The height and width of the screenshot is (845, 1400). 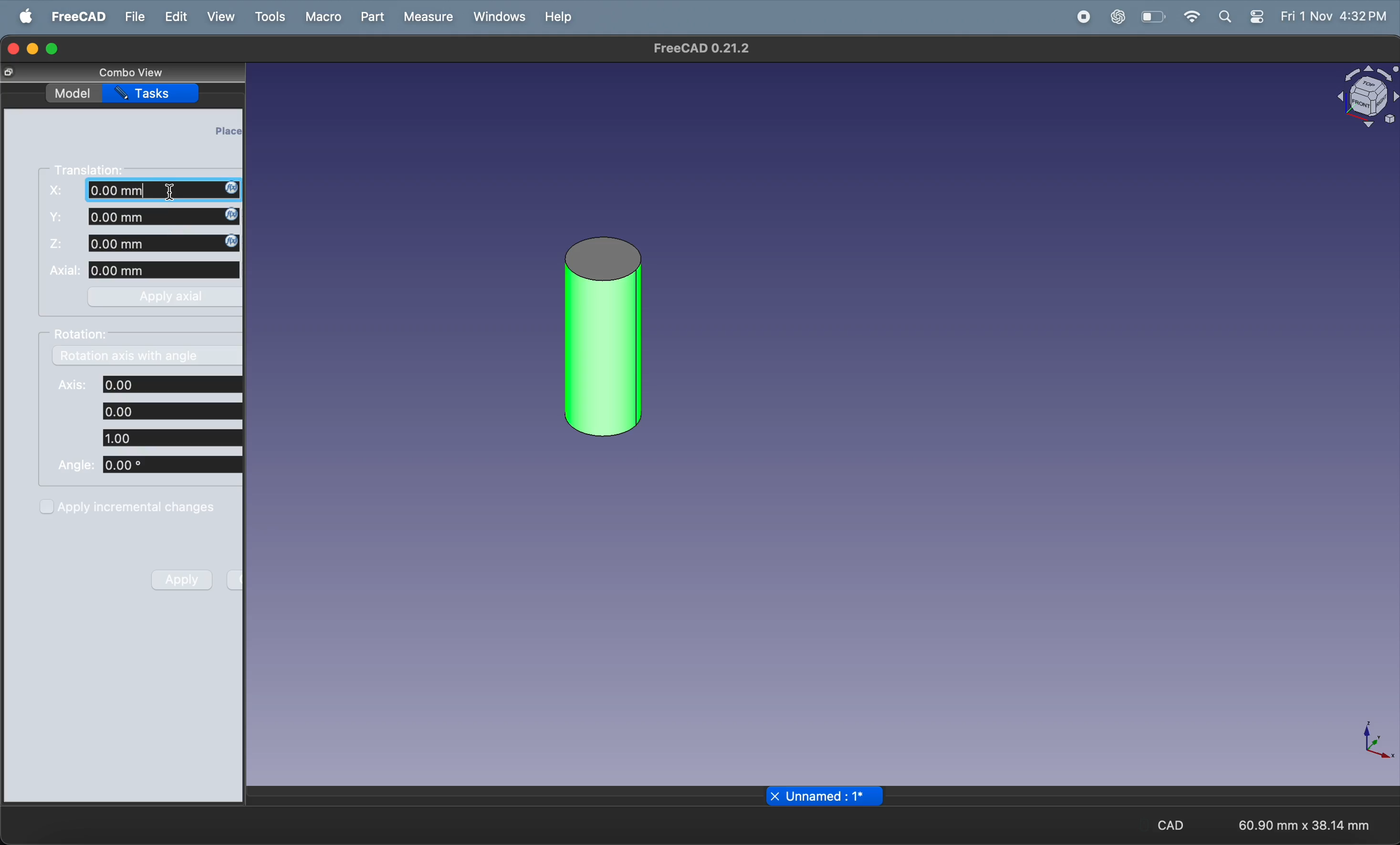 What do you see at coordinates (74, 16) in the screenshot?
I see `freecad` at bounding box center [74, 16].